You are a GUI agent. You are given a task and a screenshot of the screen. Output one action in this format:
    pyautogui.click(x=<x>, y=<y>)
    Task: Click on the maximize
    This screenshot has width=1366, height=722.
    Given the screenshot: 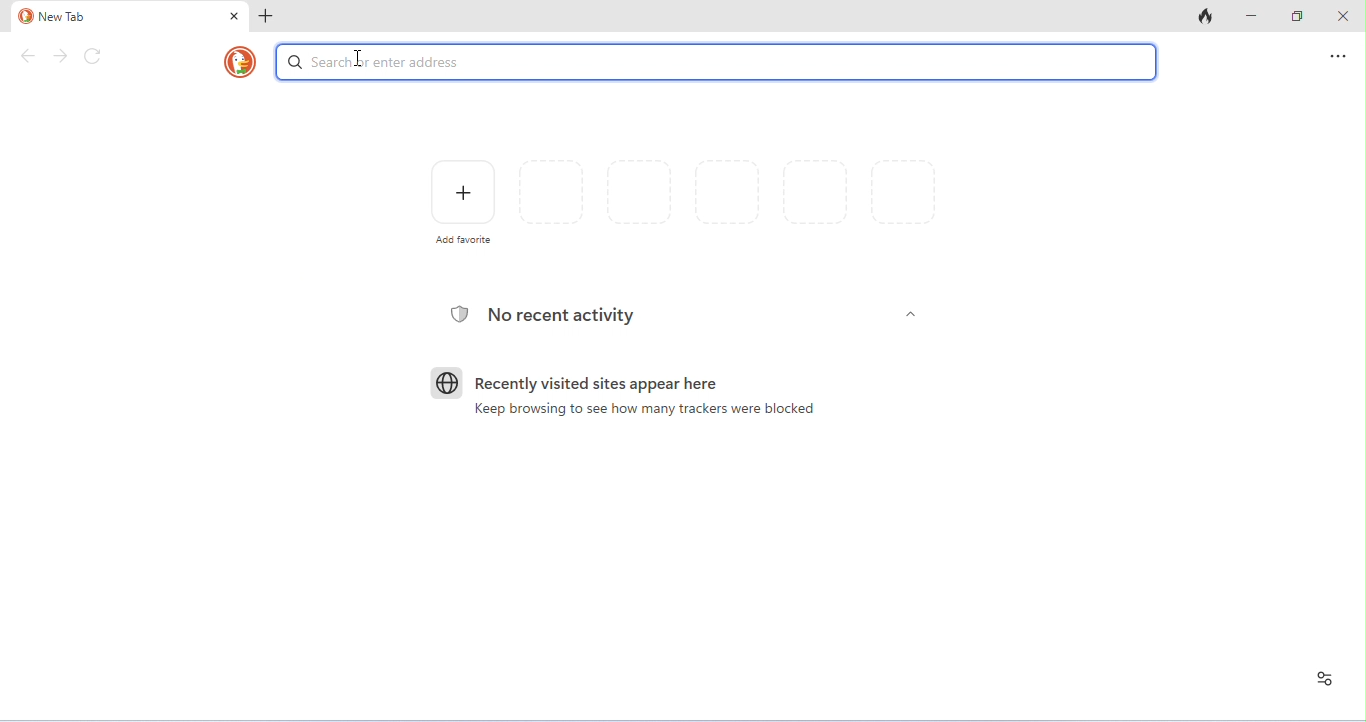 What is the action you would take?
    pyautogui.click(x=1297, y=14)
    